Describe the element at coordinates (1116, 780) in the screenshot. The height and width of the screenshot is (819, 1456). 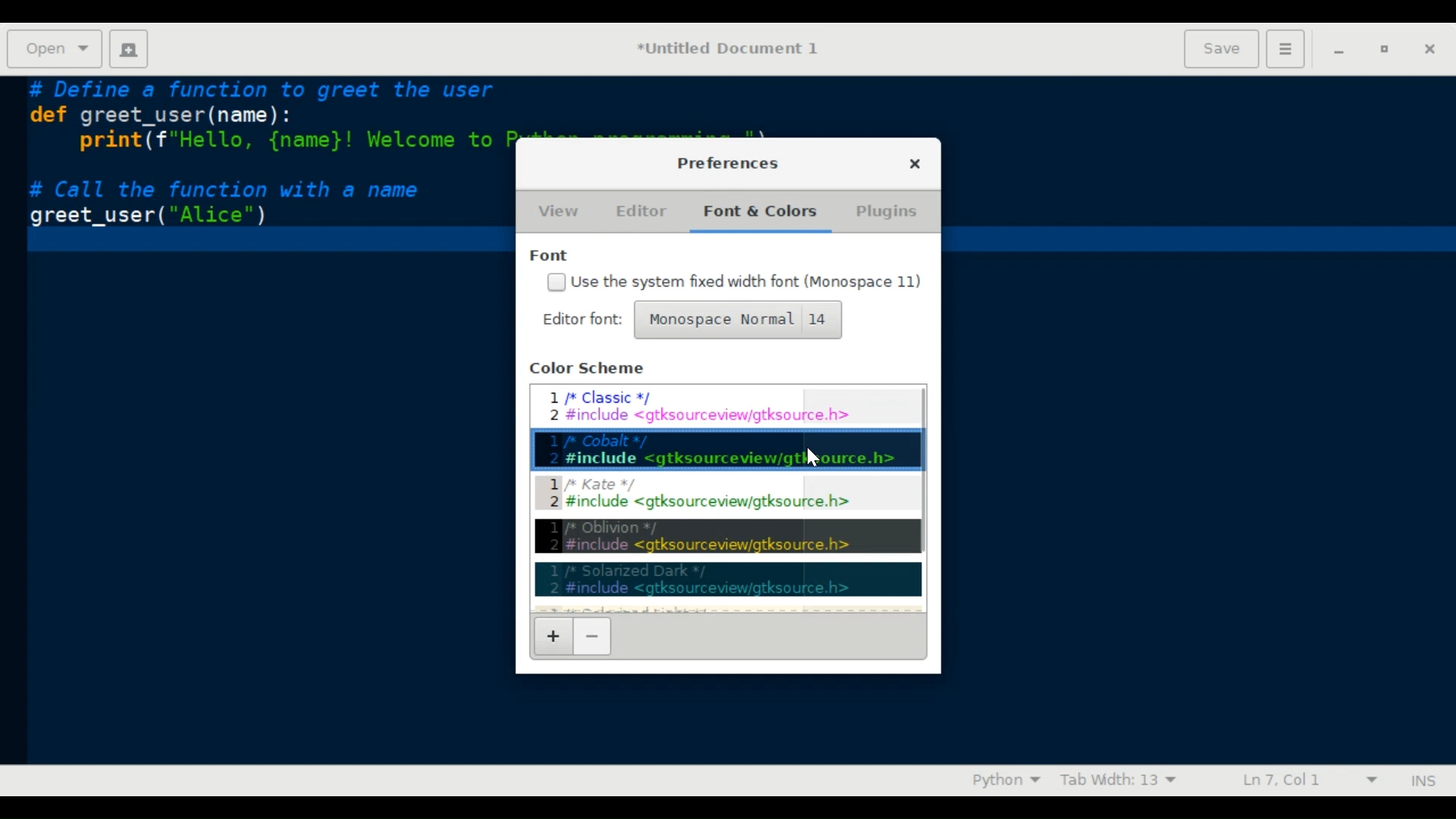
I see `Tab Width` at that location.